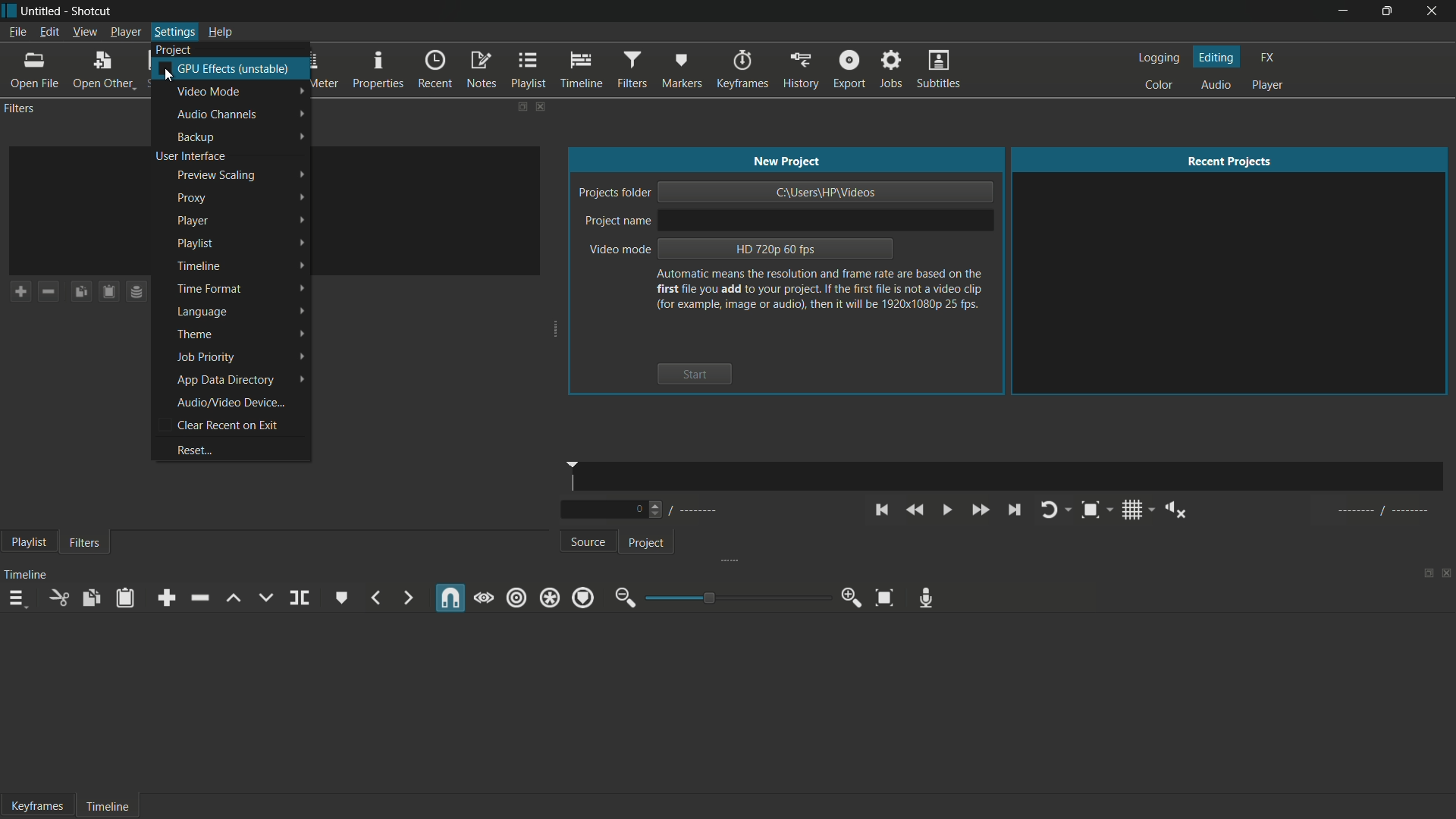 The height and width of the screenshot is (819, 1456). Describe the element at coordinates (81, 292) in the screenshot. I see `copy checked filters` at that location.